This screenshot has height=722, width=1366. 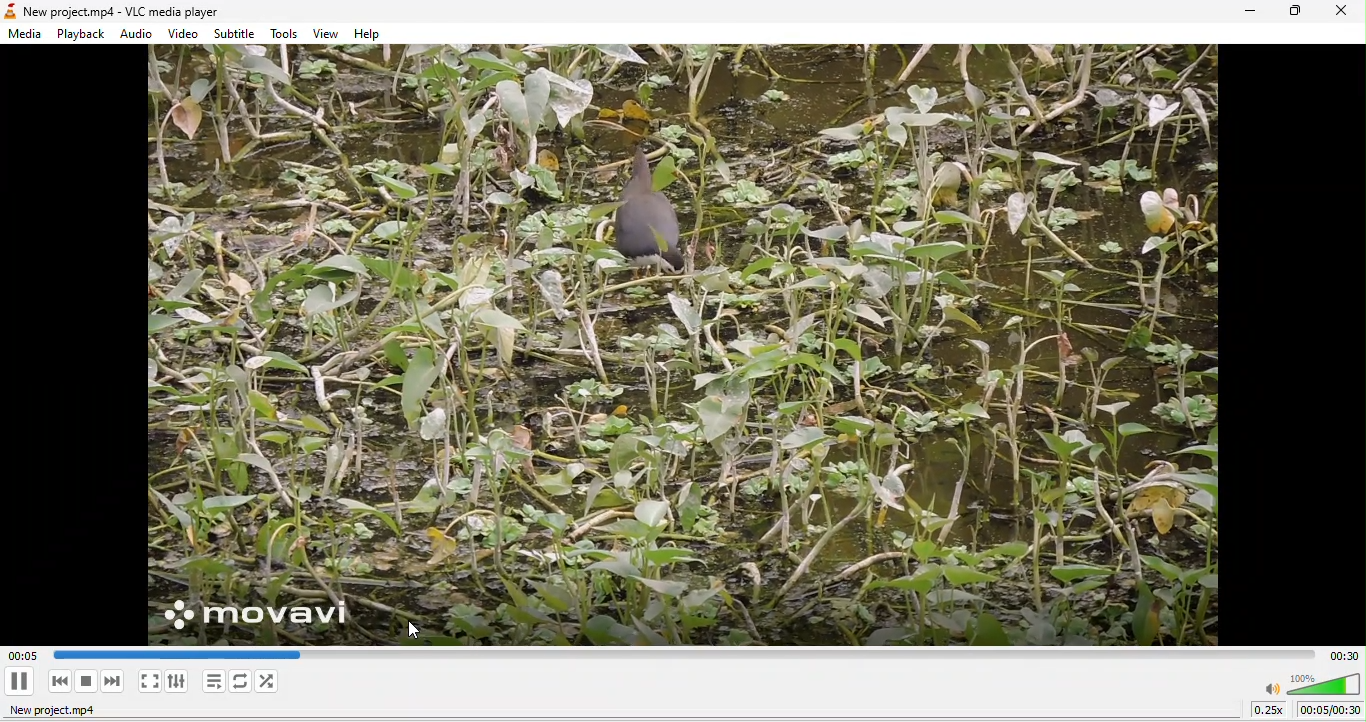 I want to click on help, so click(x=373, y=35).